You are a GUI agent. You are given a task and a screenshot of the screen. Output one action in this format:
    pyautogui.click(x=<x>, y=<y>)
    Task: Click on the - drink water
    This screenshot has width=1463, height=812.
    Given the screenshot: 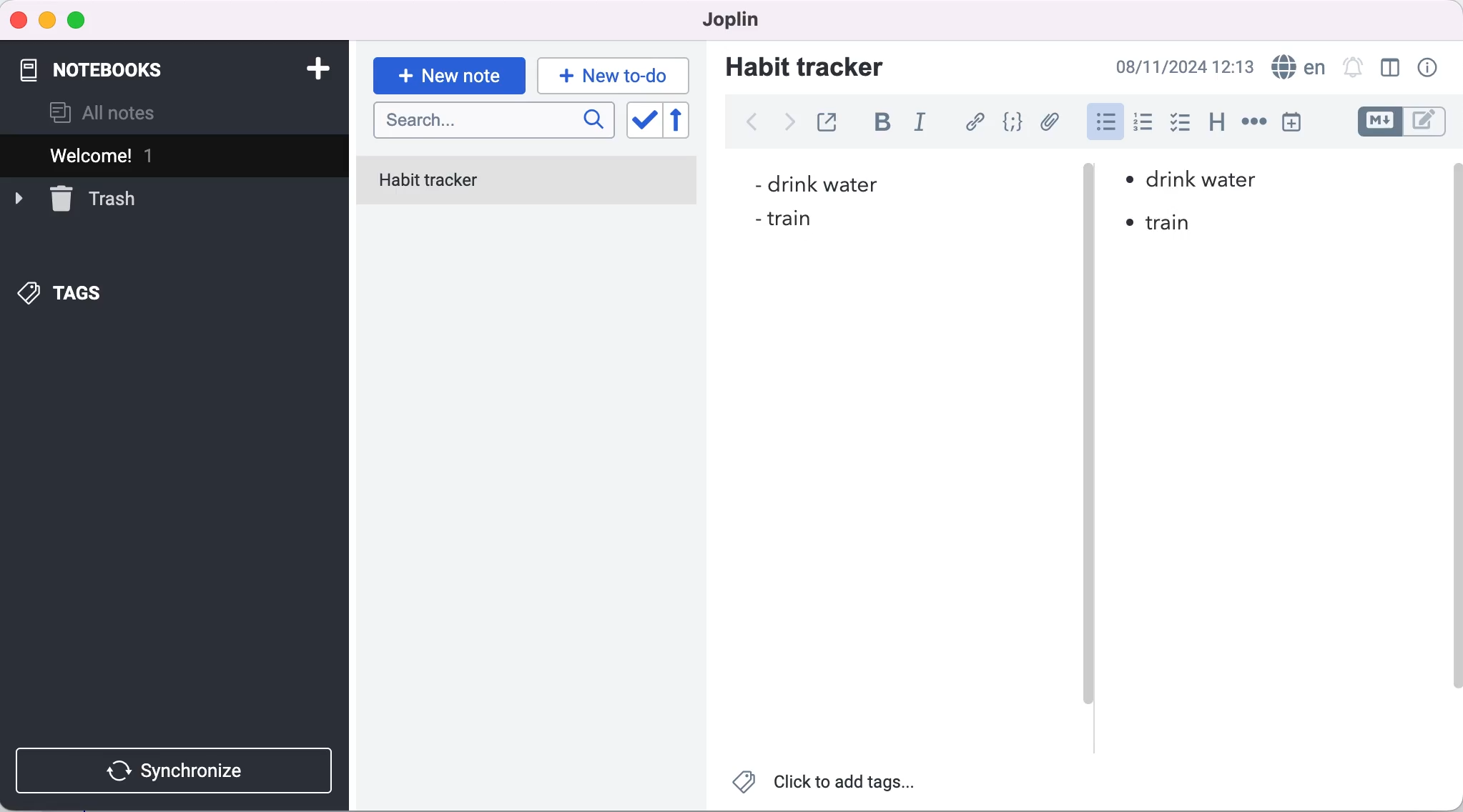 What is the action you would take?
    pyautogui.click(x=837, y=184)
    